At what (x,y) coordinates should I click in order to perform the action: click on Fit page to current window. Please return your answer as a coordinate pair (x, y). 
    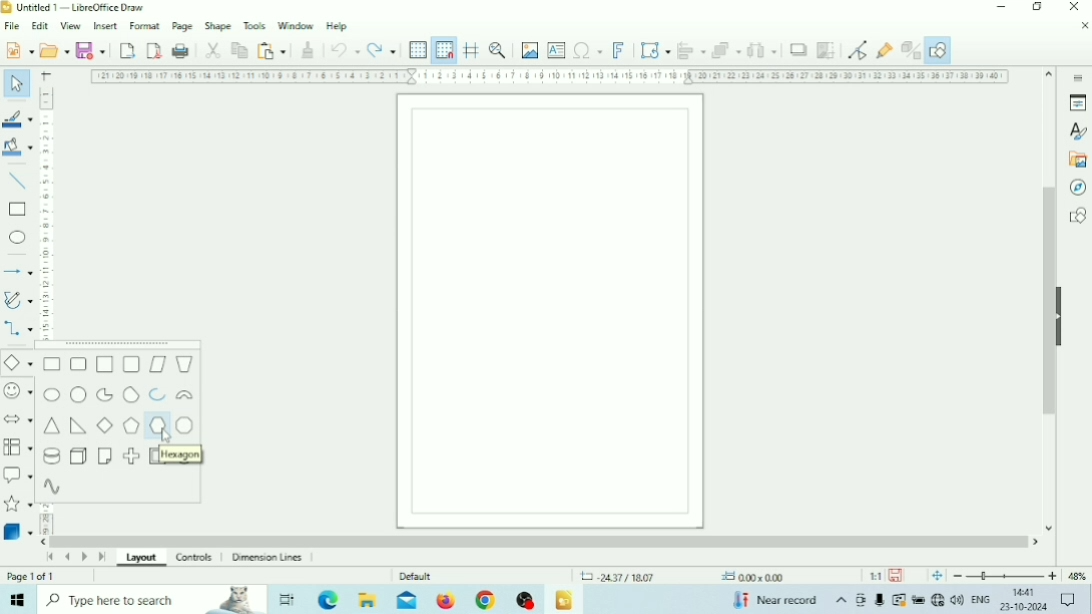
    Looking at the image, I should click on (937, 576).